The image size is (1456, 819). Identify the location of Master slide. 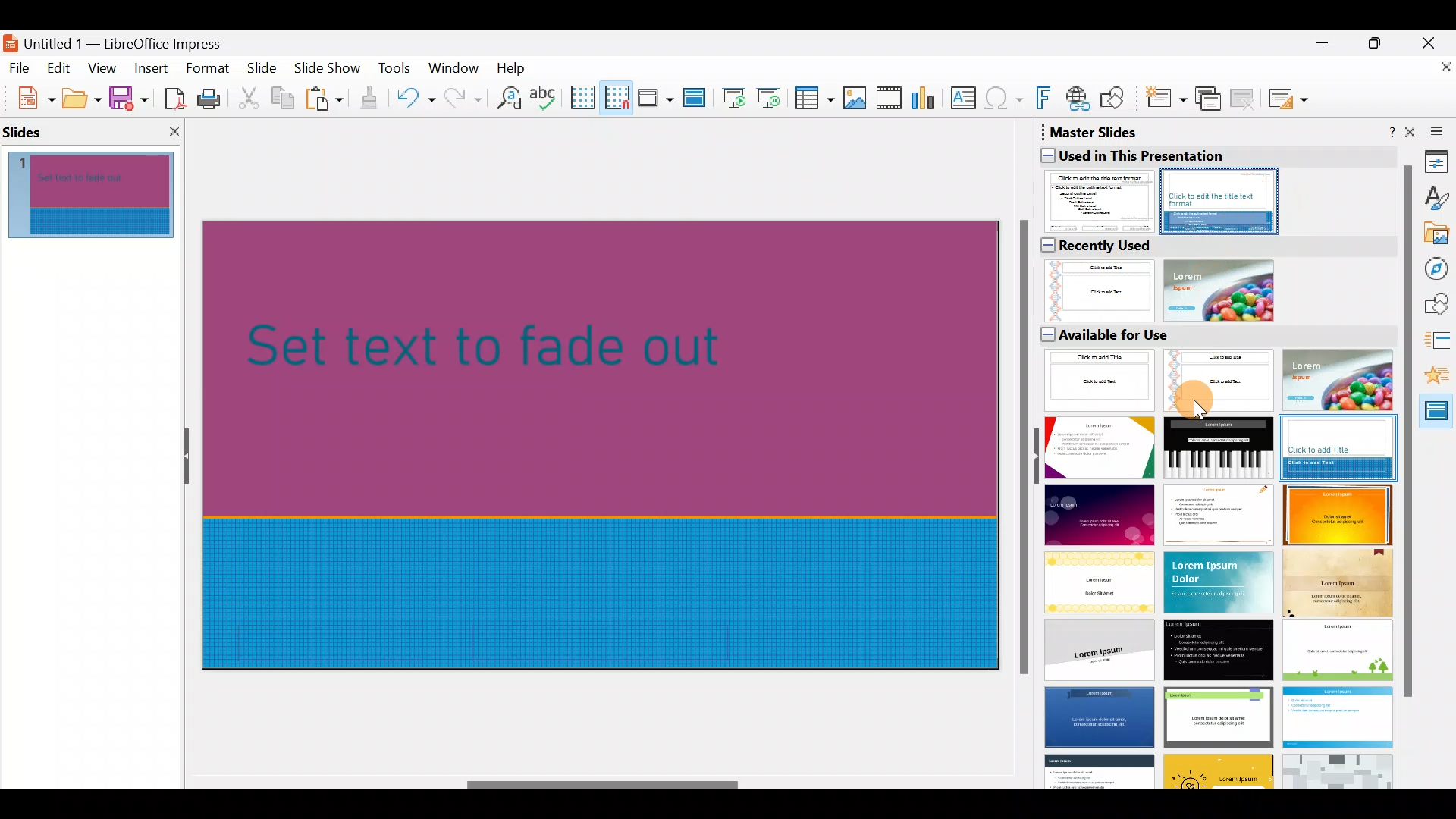
(696, 99).